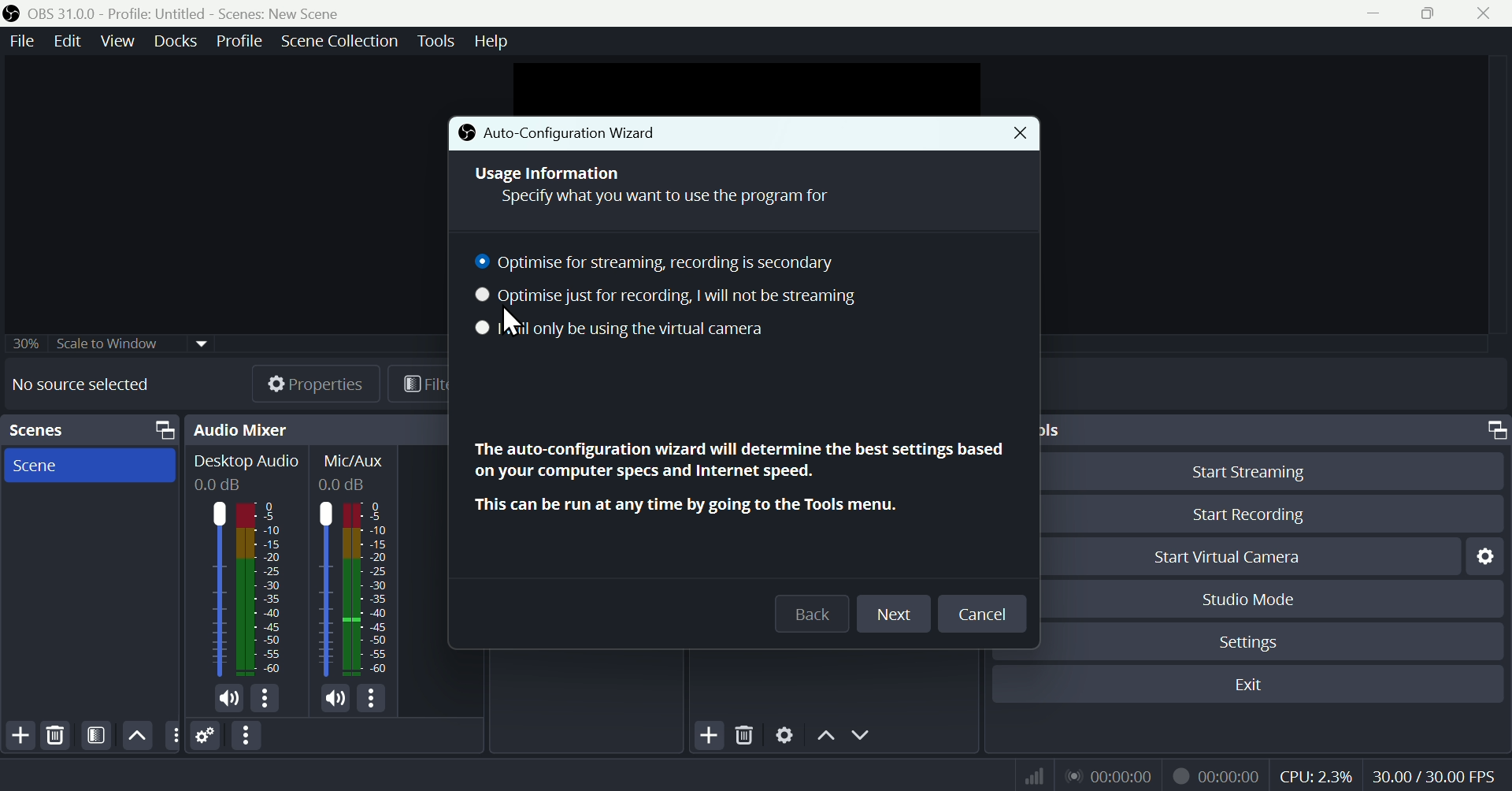 The height and width of the screenshot is (791, 1512). What do you see at coordinates (1247, 685) in the screenshot?
I see `Exit` at bounding box center [1247, 685].